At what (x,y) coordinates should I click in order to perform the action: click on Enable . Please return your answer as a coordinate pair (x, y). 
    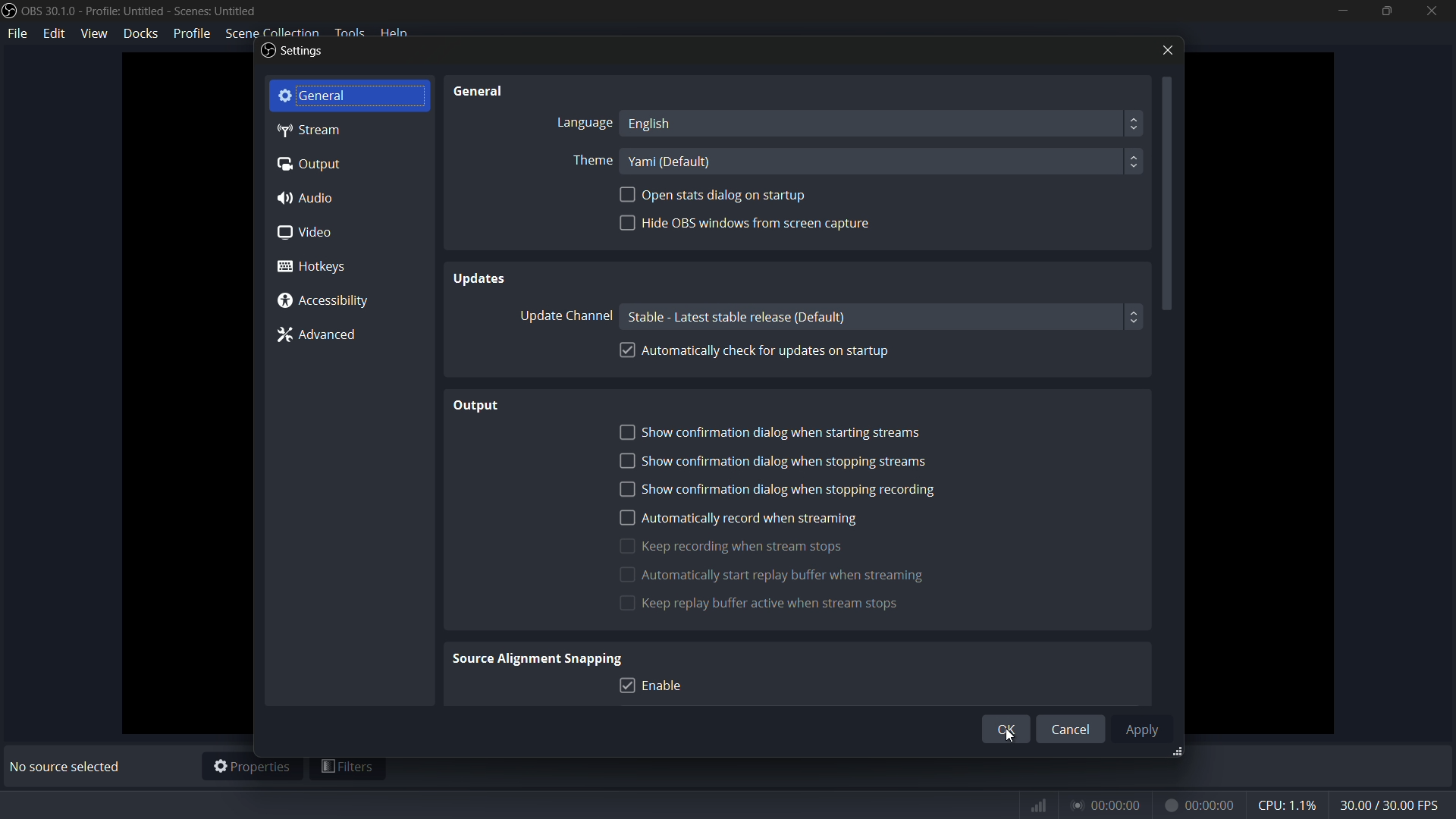
    Looking at the image, I should click on (656, 686).